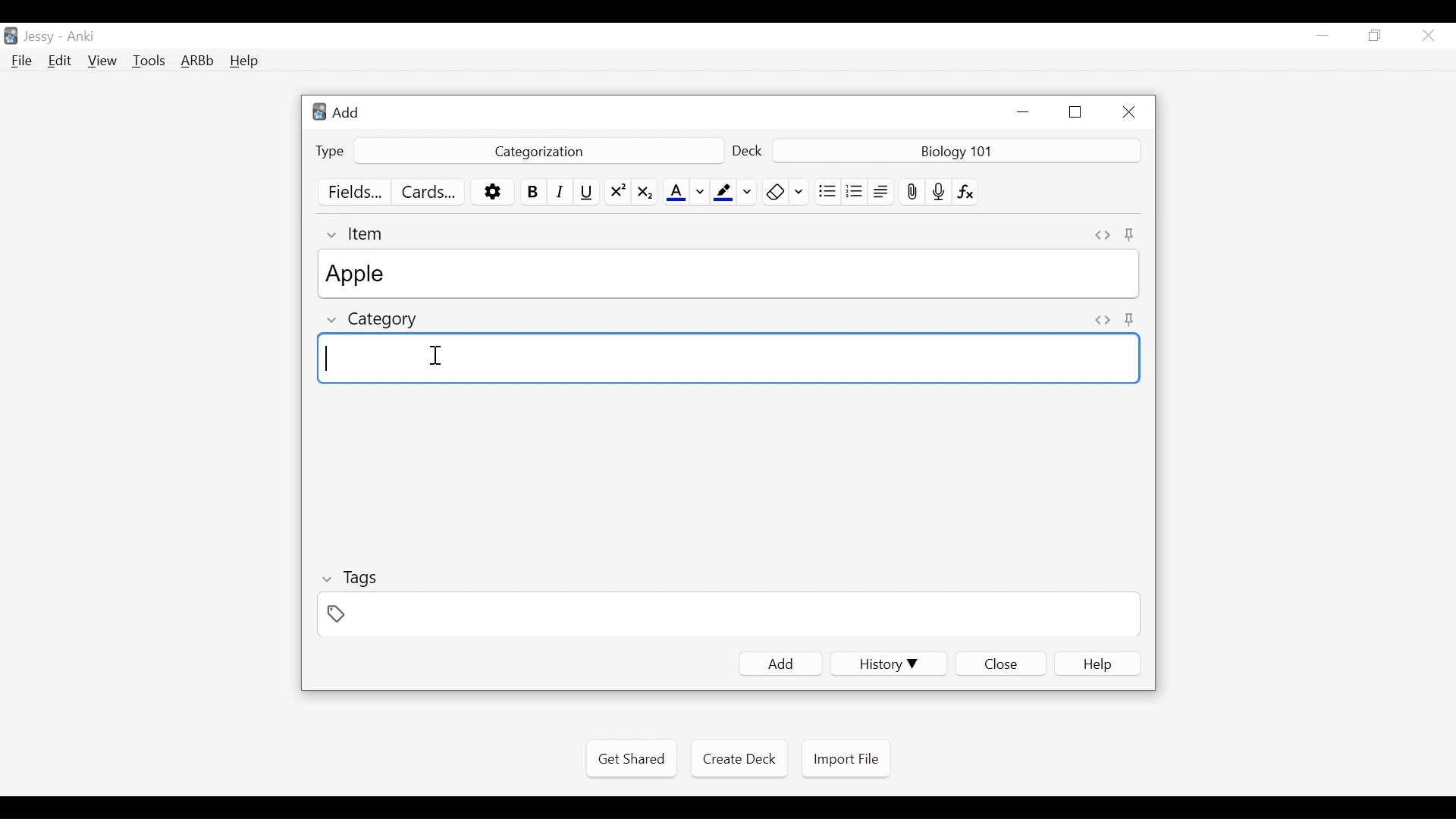  What do you see at coordinates (686, 192) in the screenshot?
I see `Text Color` at bounding box center [686, 192].